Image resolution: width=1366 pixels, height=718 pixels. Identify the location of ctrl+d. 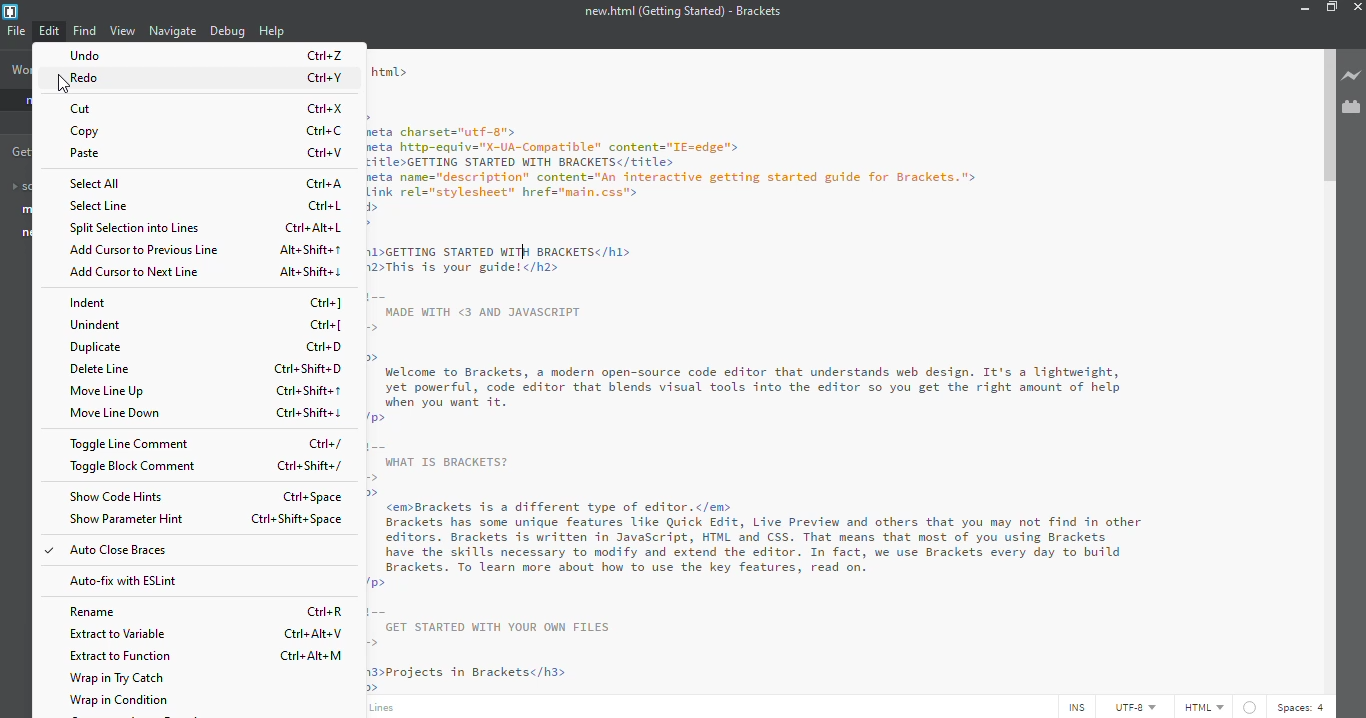
(322, 346).